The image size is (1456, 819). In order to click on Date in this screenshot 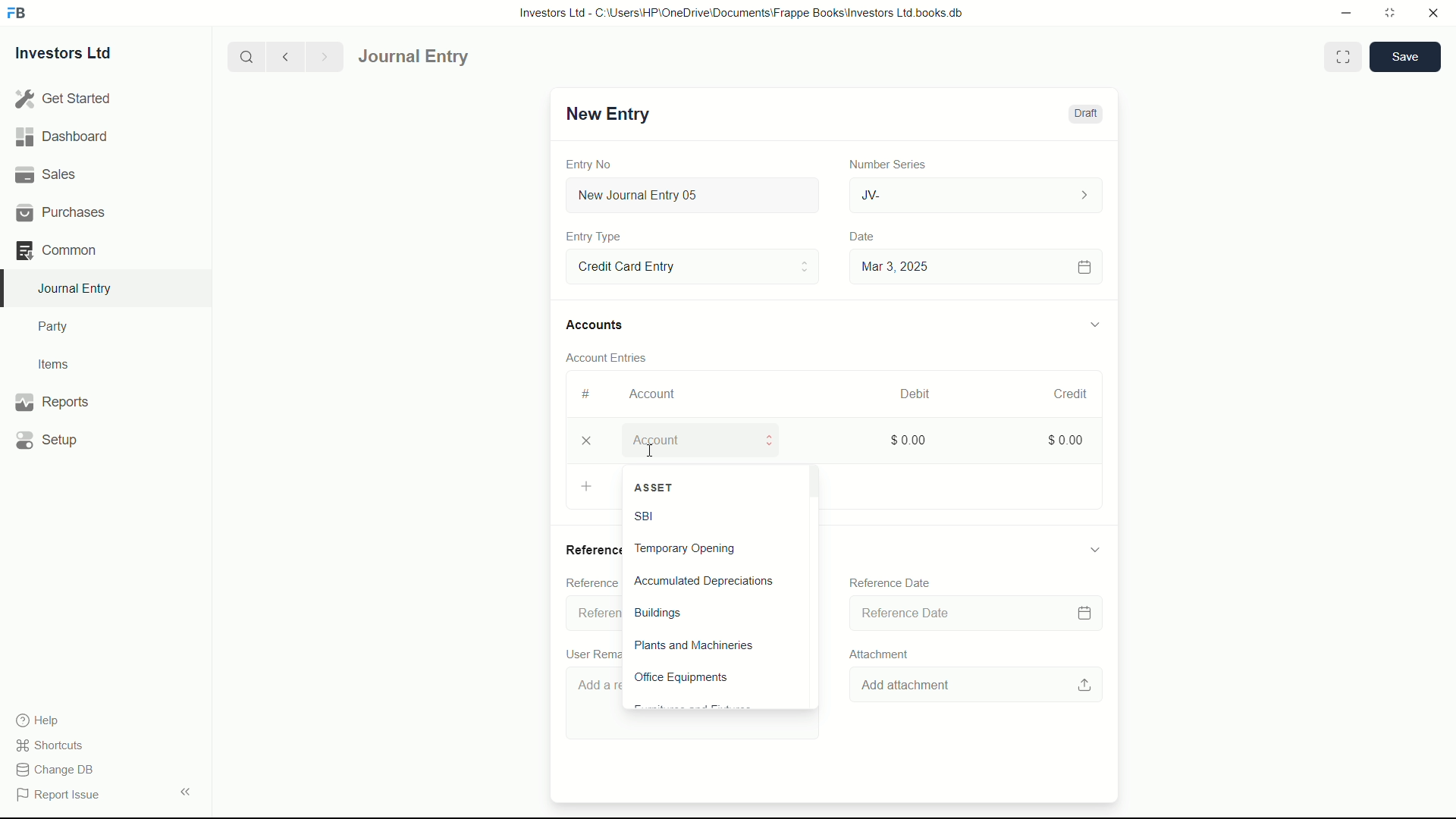, I will do `click(864, 237)`.